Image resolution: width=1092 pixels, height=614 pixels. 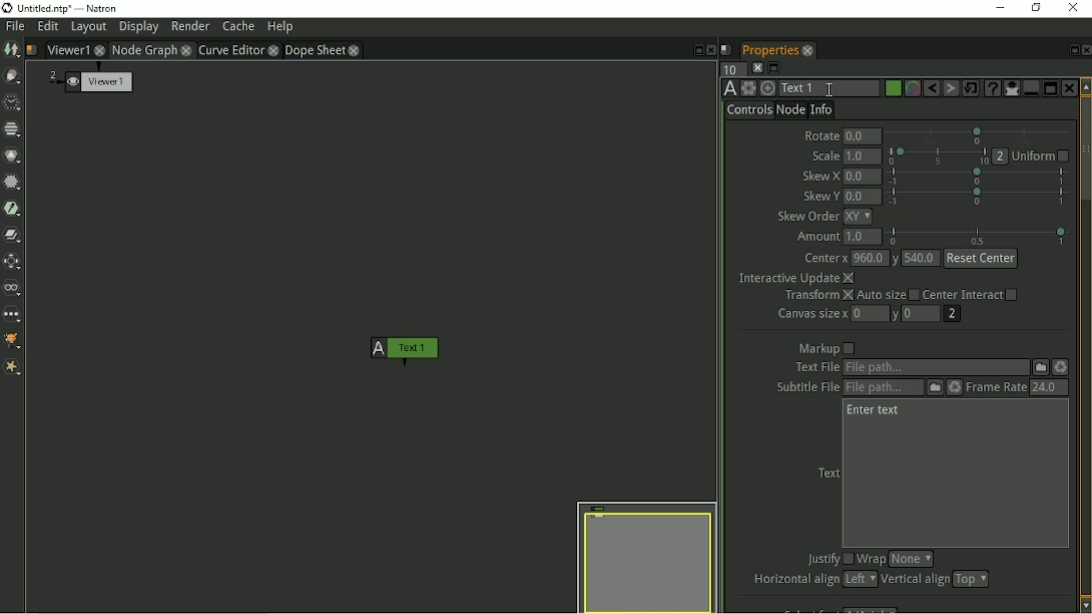 I want to click on Close, so click(x=1076, y=10).